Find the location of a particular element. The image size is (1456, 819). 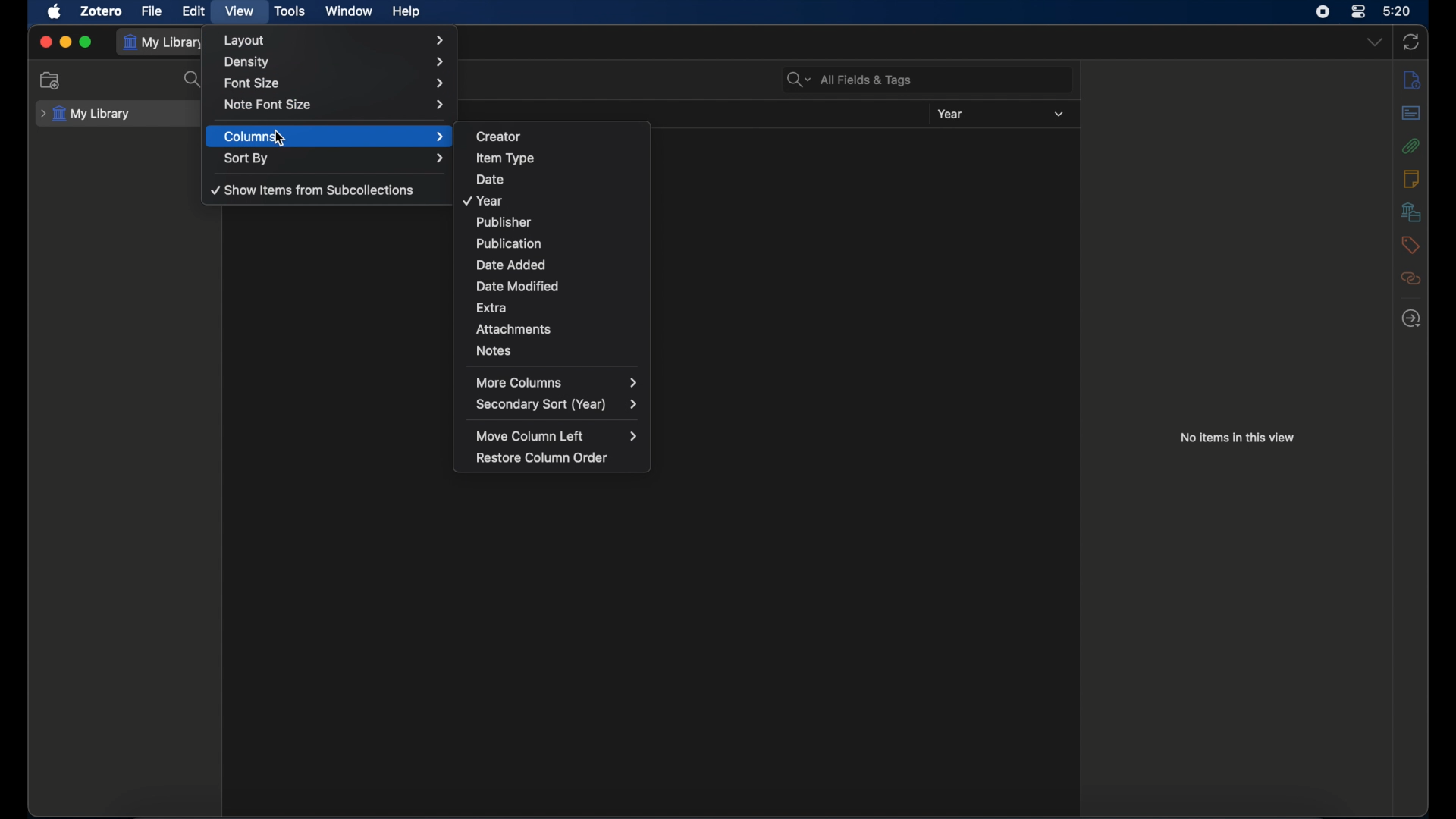

publication is located at coordinates (561, 240).